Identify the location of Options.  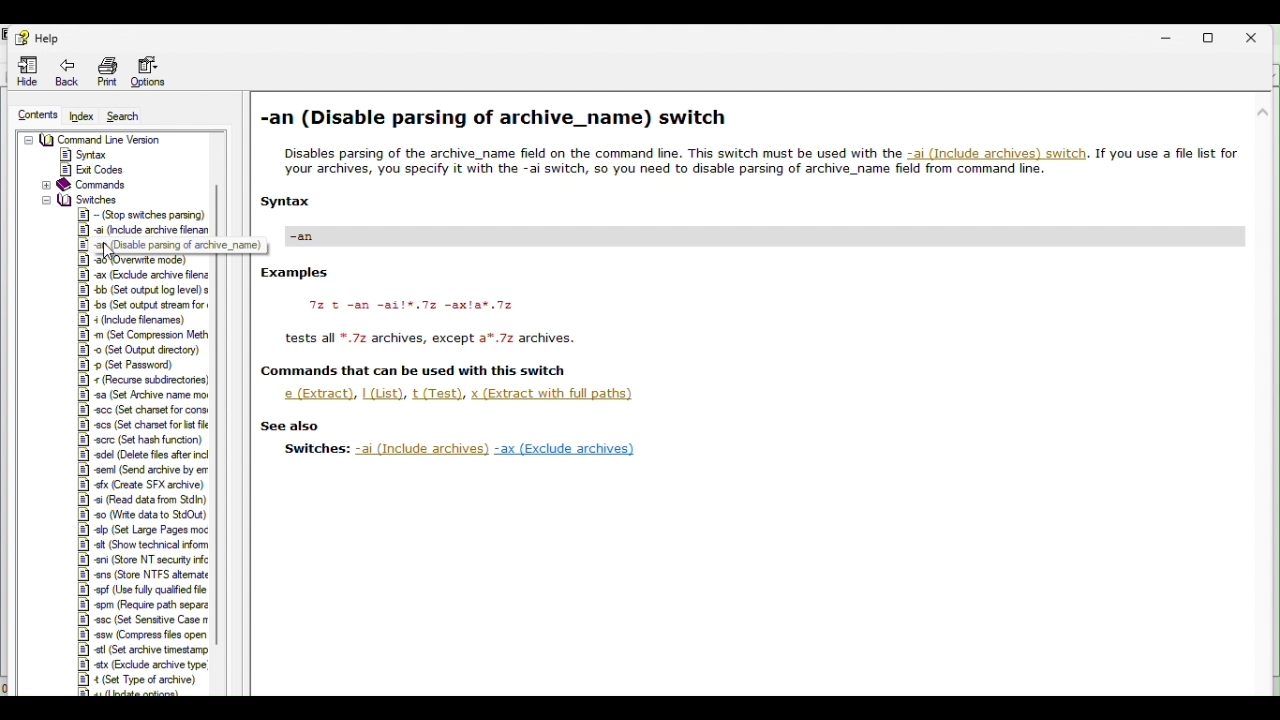
(154, 72).